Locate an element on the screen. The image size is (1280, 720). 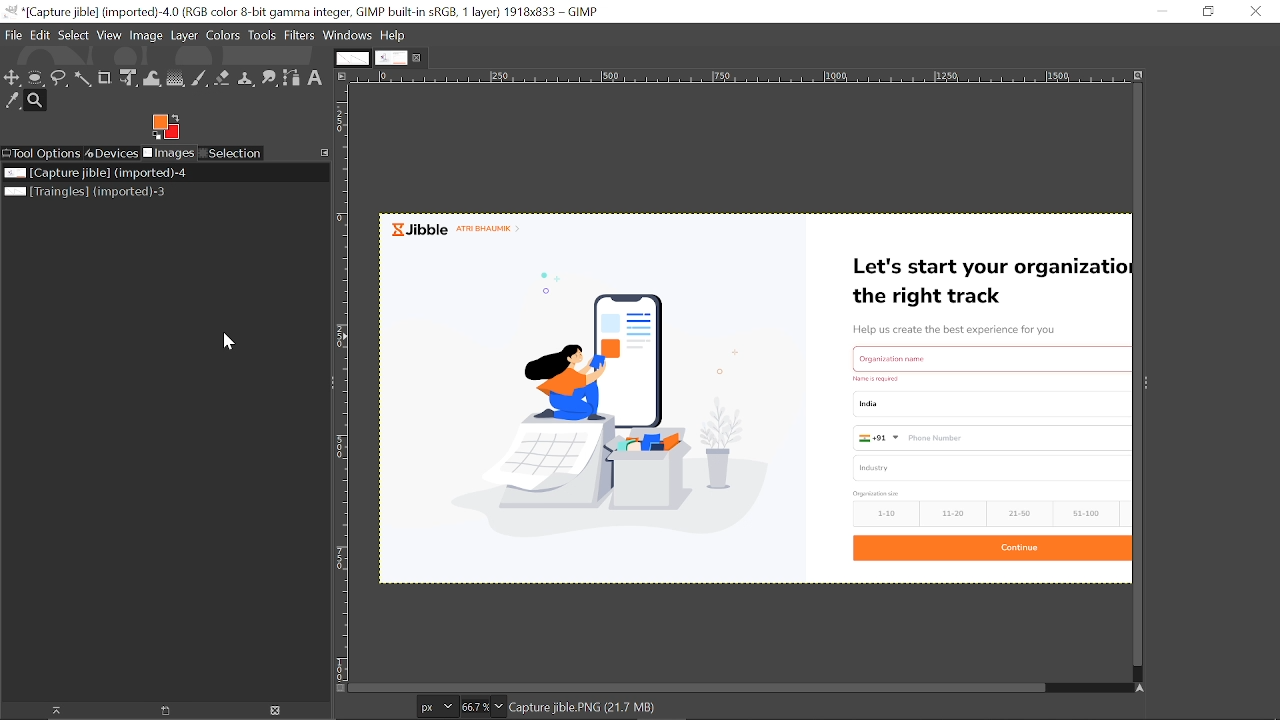
Move tool is located at coordinates (12, 79).